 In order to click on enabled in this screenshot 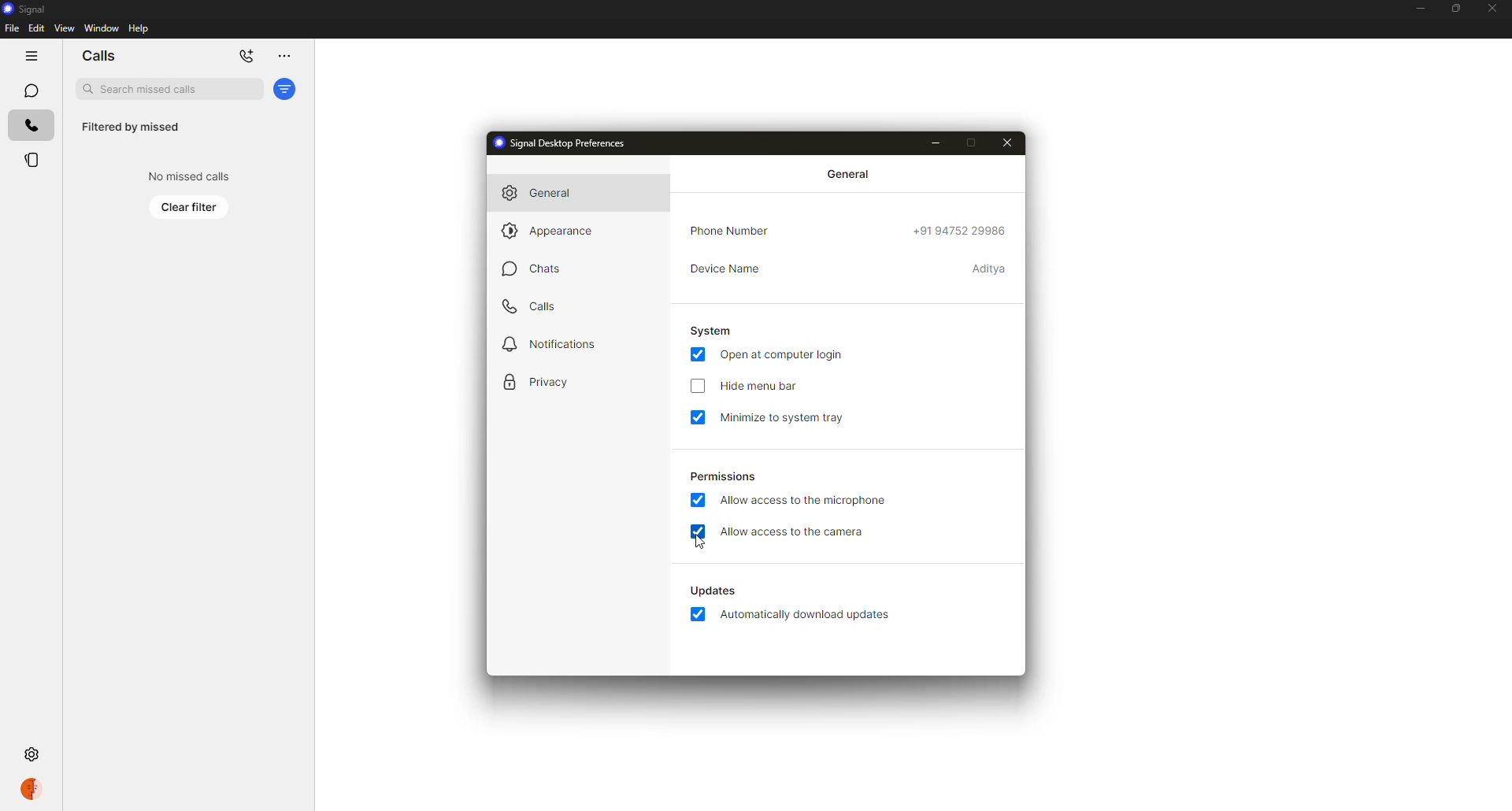, I will do `click(698, 531)`.